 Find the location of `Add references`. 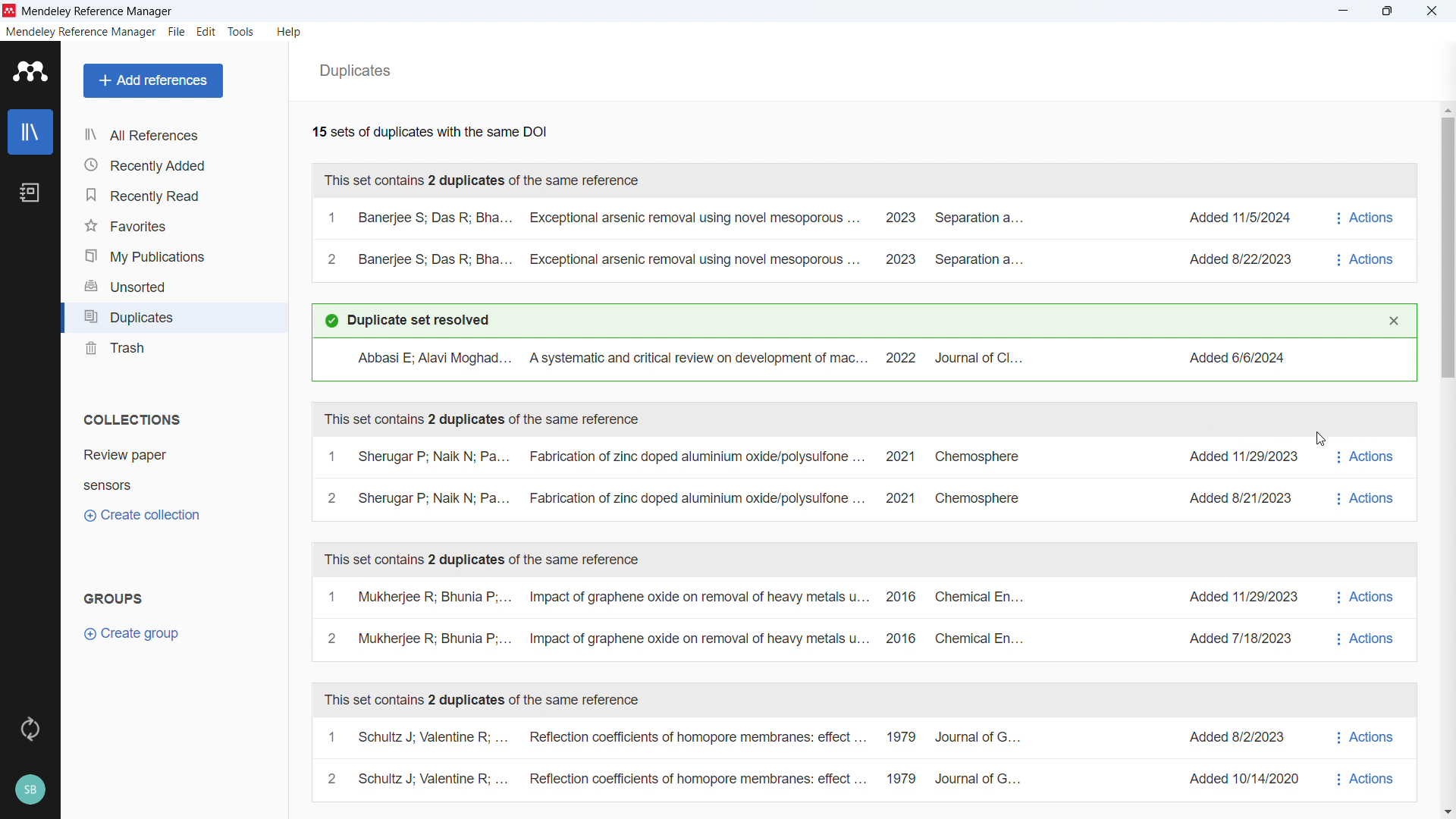

Add references is located at coordinates (154, 81).